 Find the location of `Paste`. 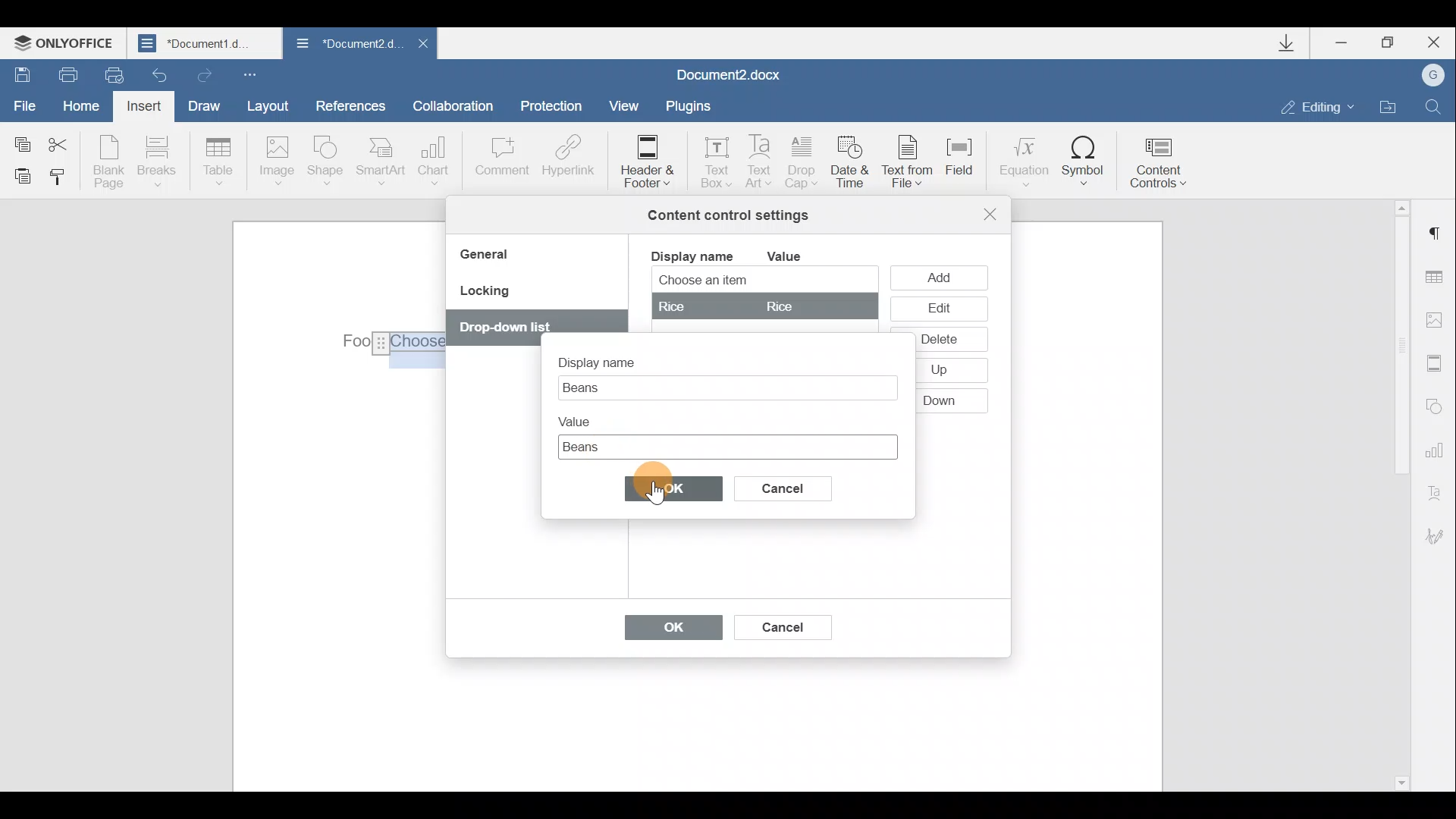

Paste is located at coordinates (17, 175).